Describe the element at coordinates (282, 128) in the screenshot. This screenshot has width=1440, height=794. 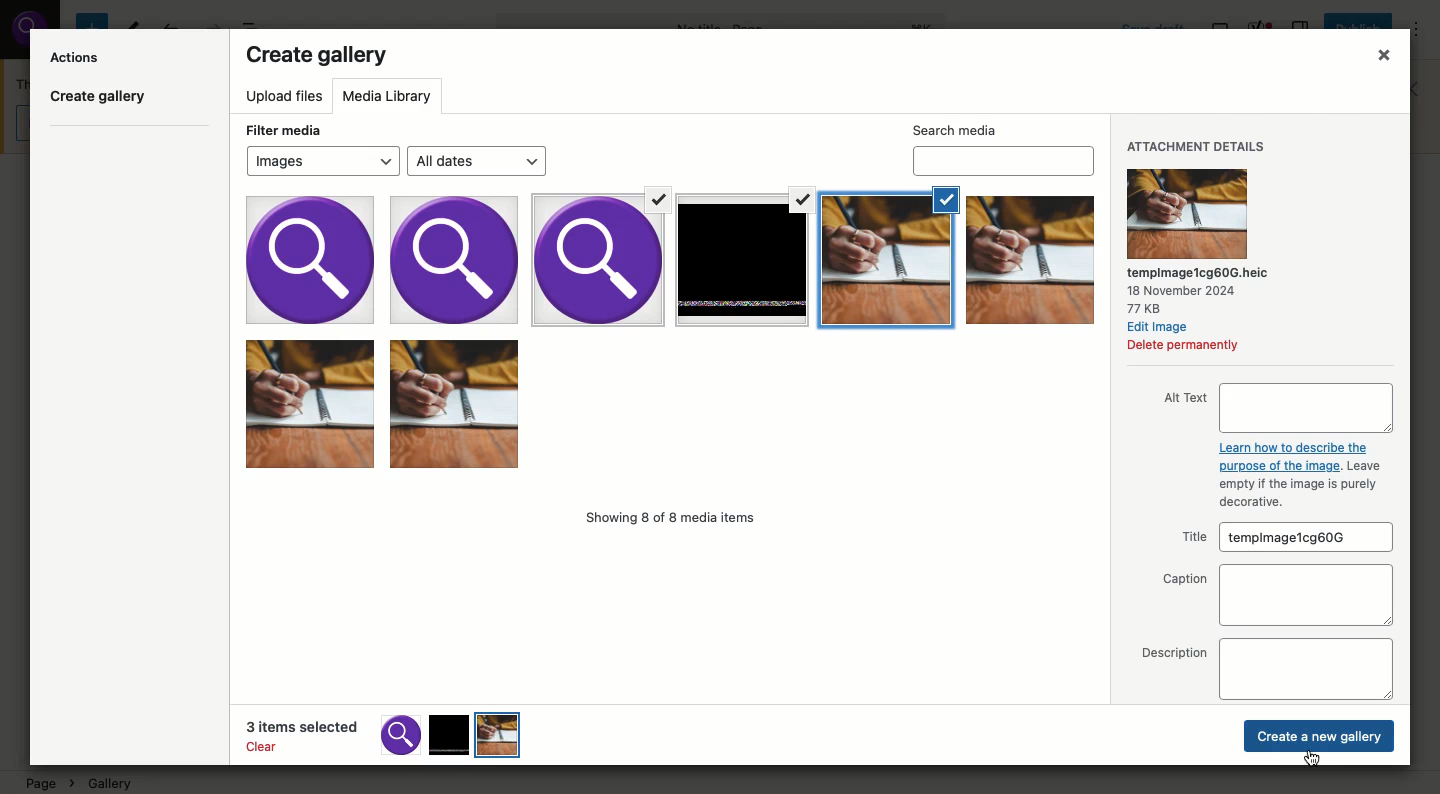
I see `Filter media ` at that location.